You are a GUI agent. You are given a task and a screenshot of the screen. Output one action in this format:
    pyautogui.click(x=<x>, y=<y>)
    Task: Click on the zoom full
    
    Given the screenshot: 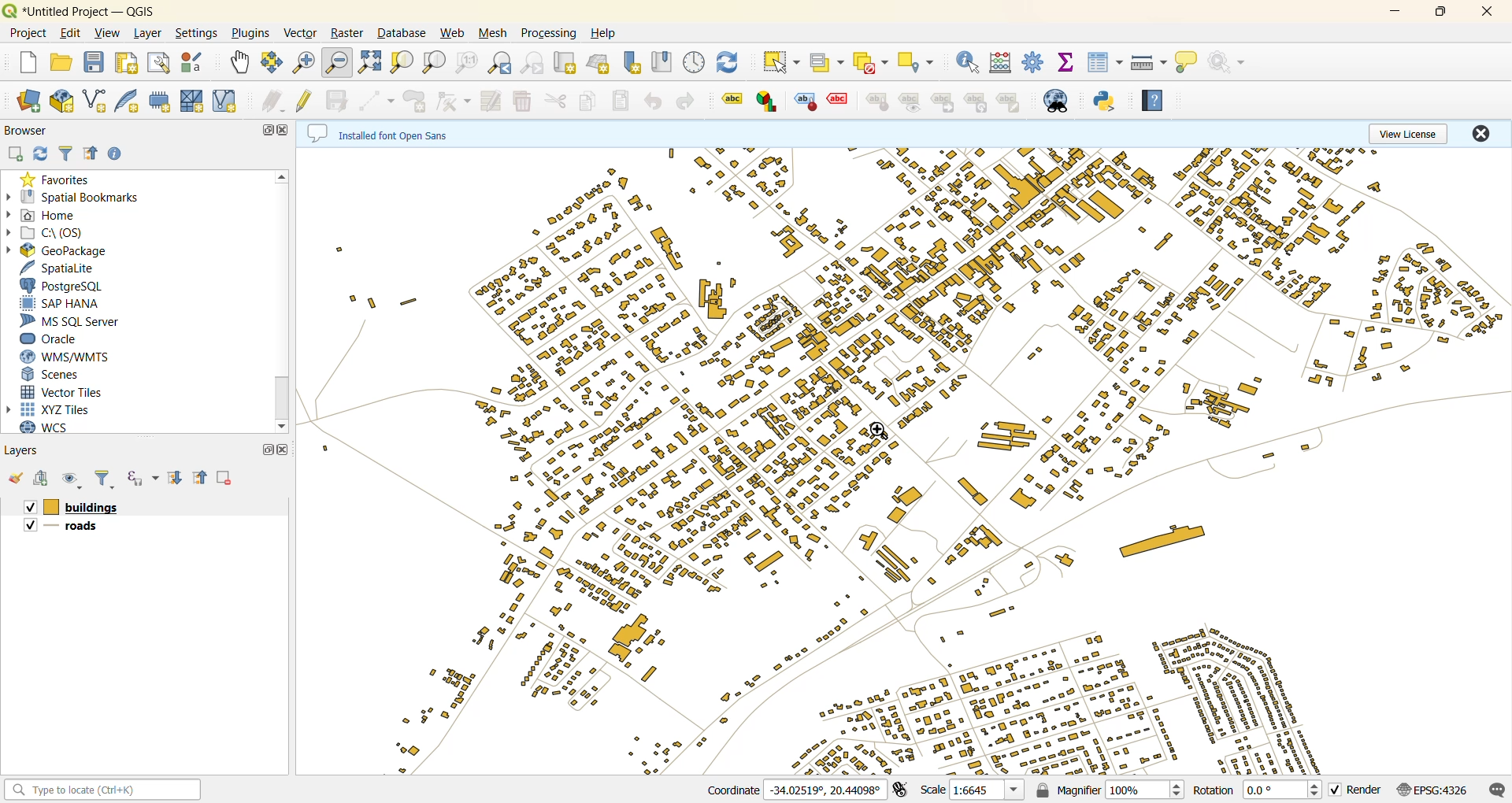 What is the action you would take?
    pyautogui.click(x=372, y=63)
    